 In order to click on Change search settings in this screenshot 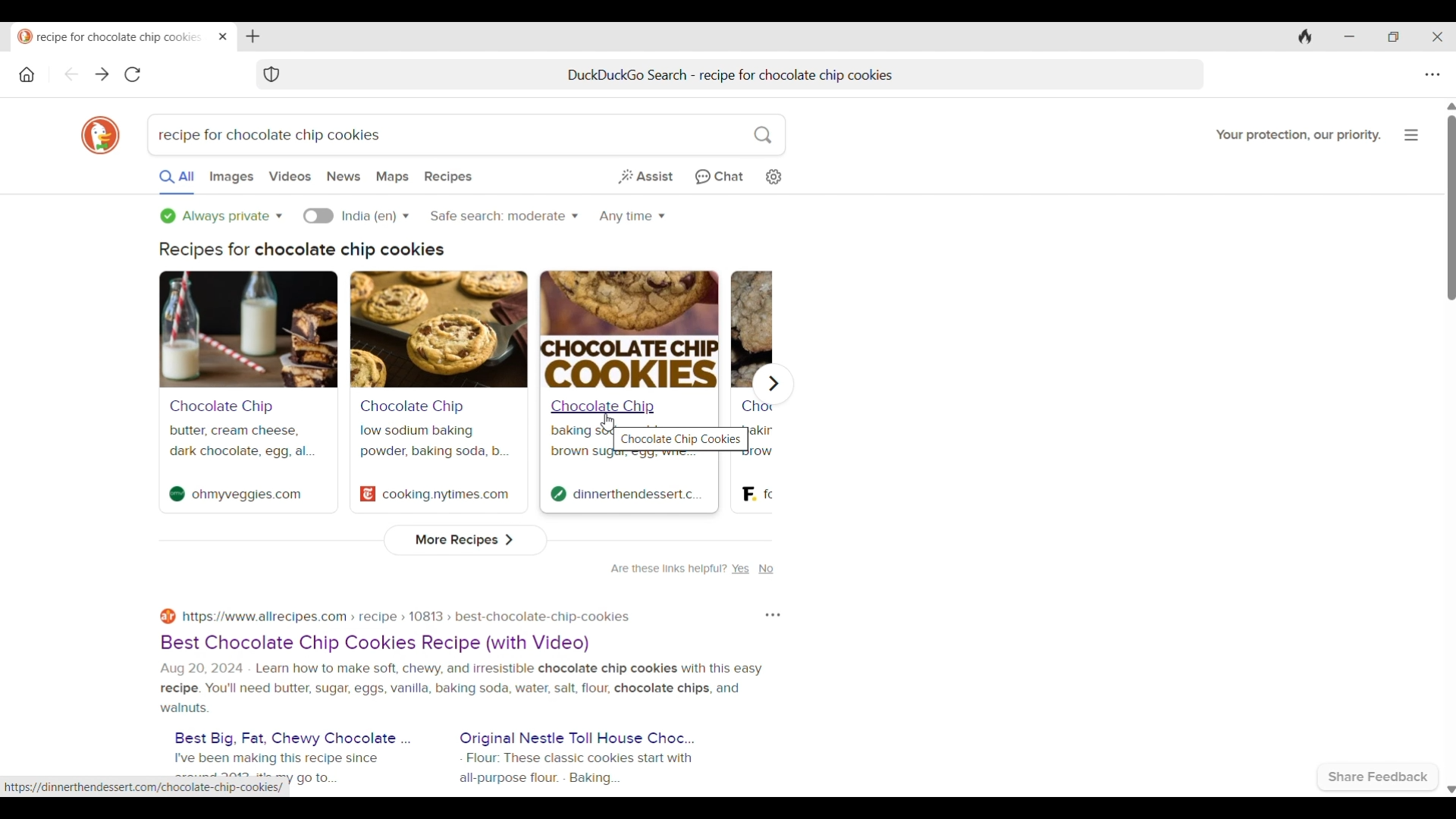, I will do `click(773, 177)`.